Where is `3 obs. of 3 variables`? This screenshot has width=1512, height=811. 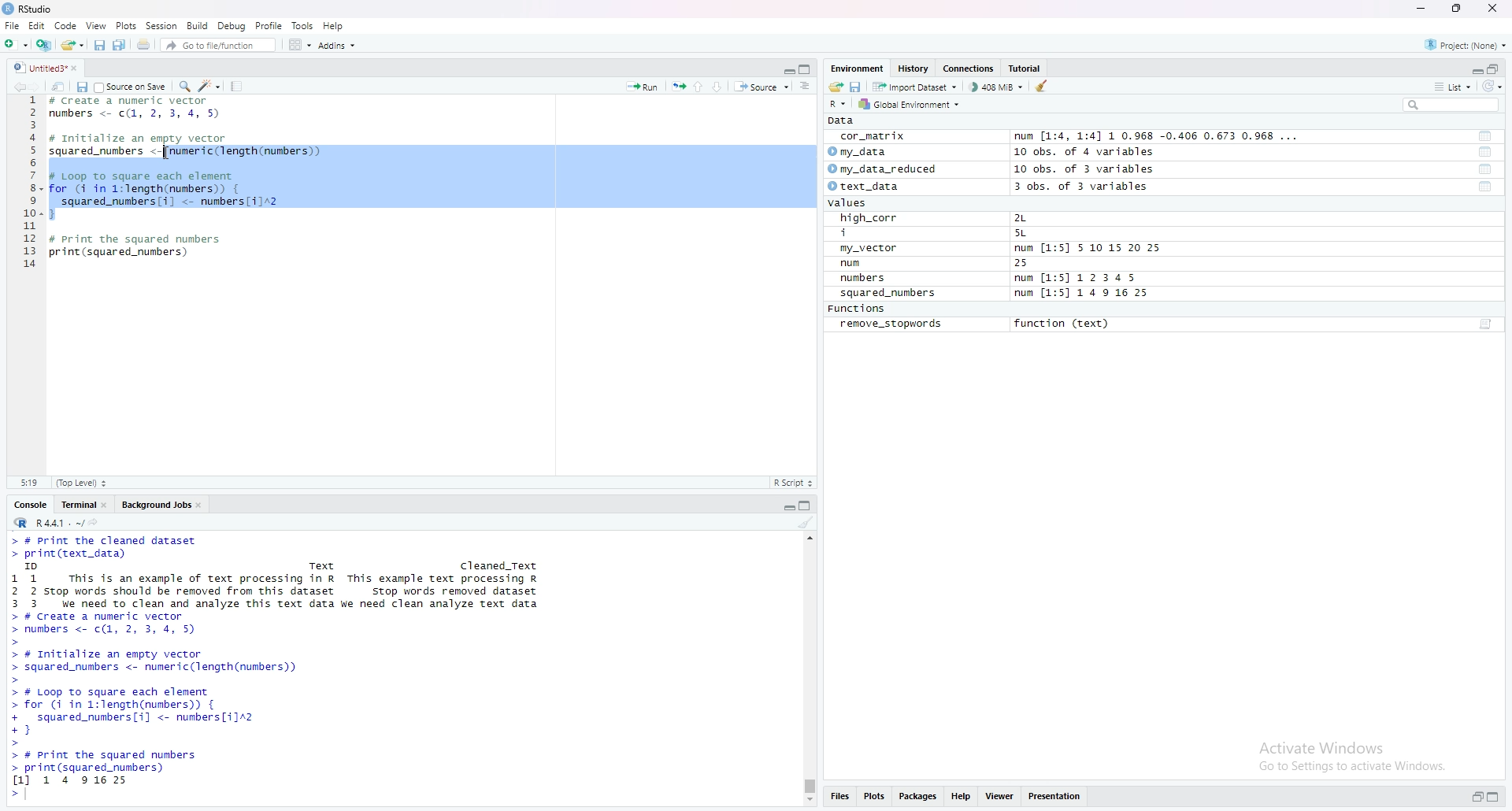
3 obs. of 3 variables is located at coordinates (1091, 187).